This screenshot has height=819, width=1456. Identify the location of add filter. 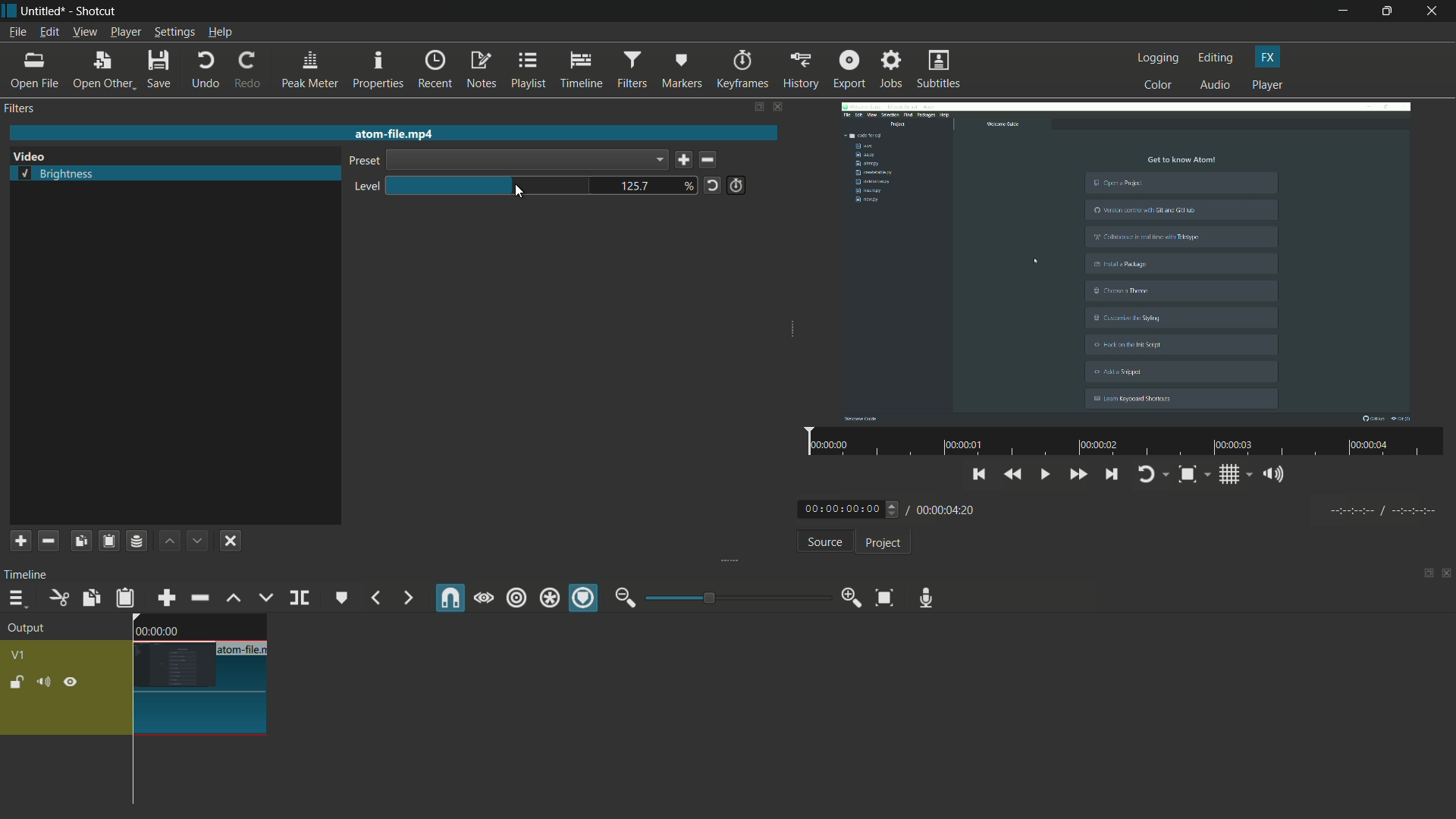
(19, 541).